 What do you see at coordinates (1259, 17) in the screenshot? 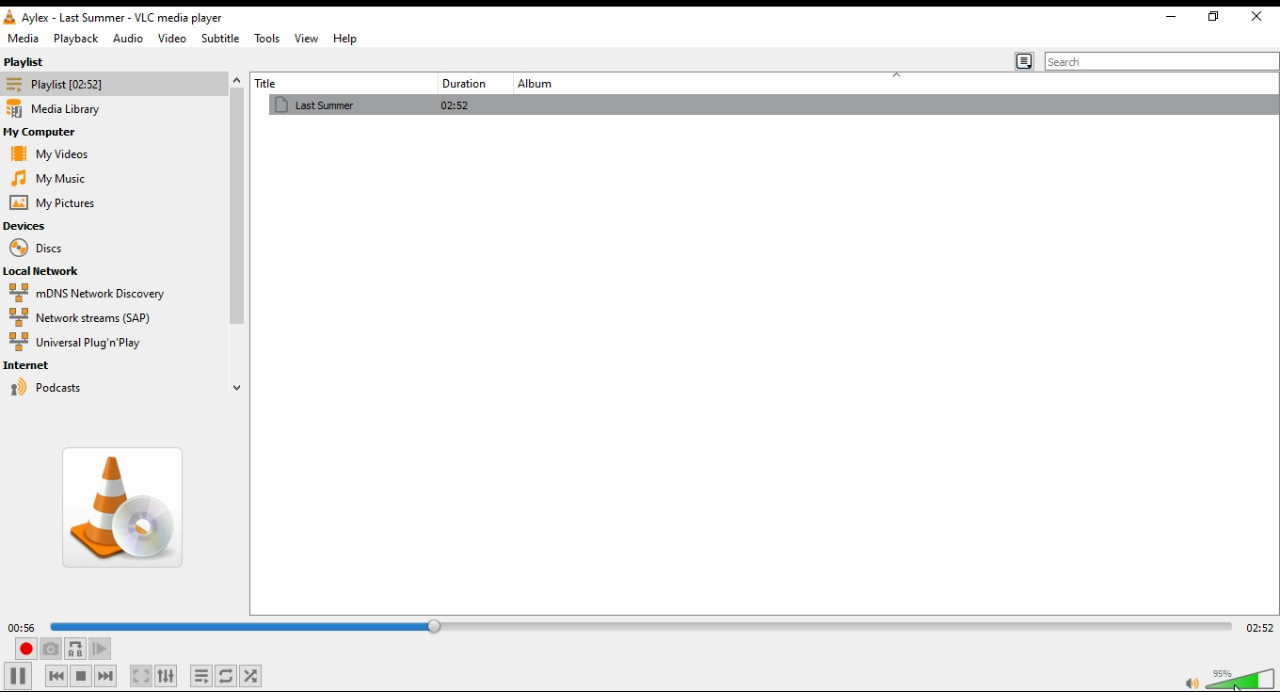
I see `close window` at bounding box center [1259, 17].